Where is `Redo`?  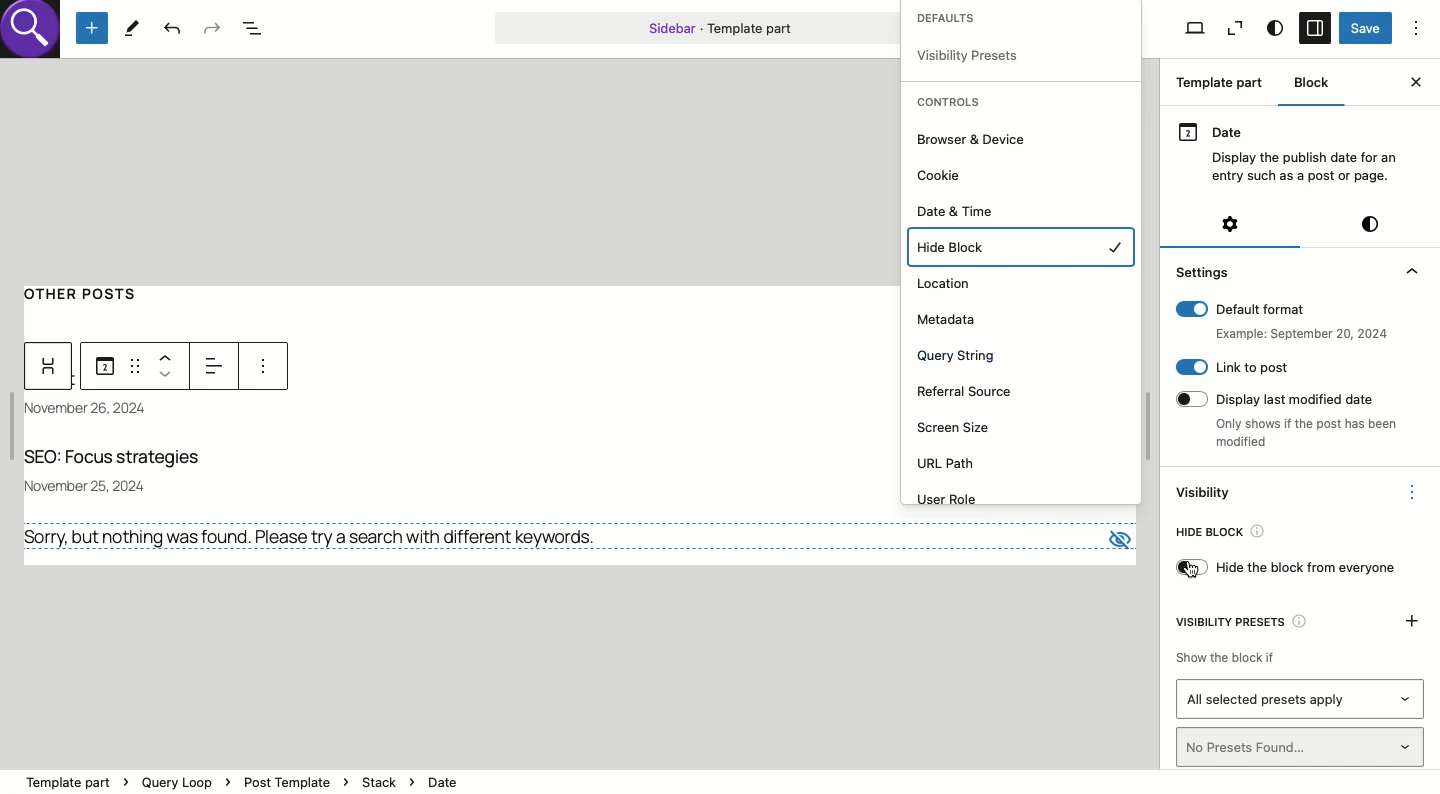 Redo is located at coordinates (211, 27).